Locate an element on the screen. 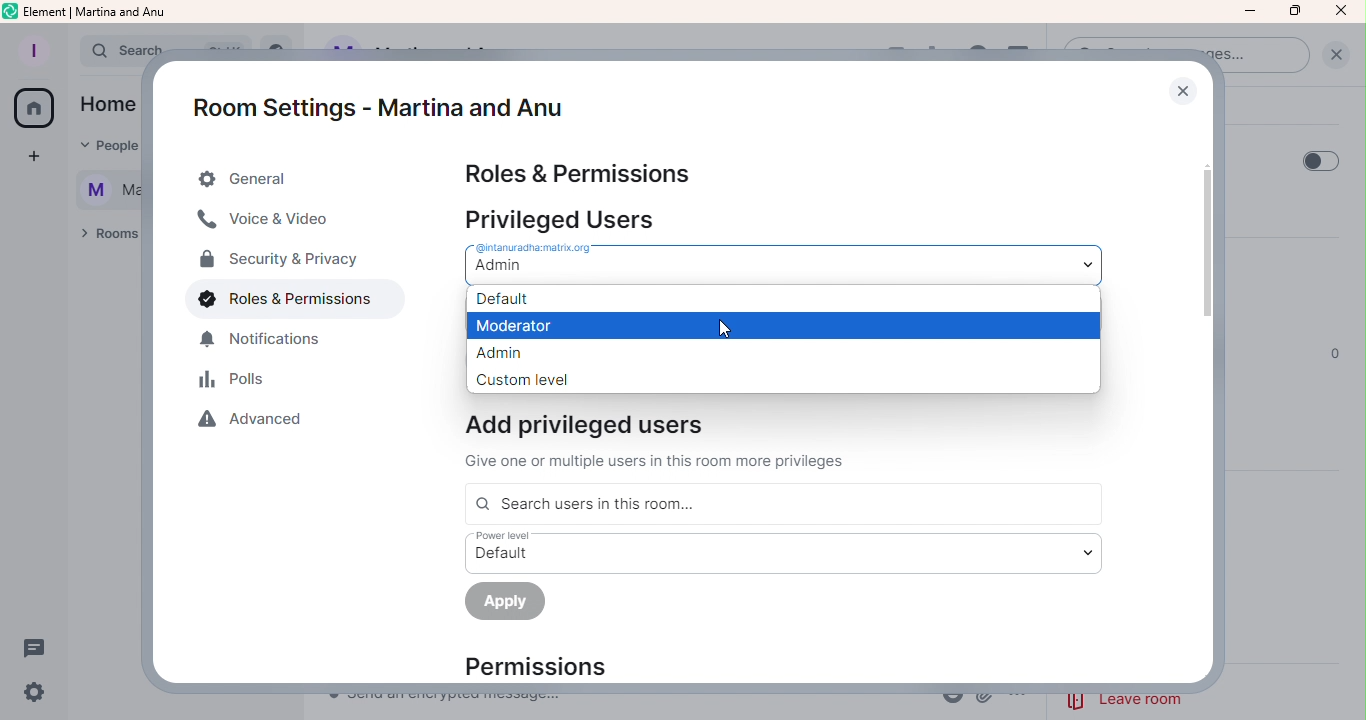 The image size is (1366, 720). Scroll bar is located at coordinates (1213, 396).